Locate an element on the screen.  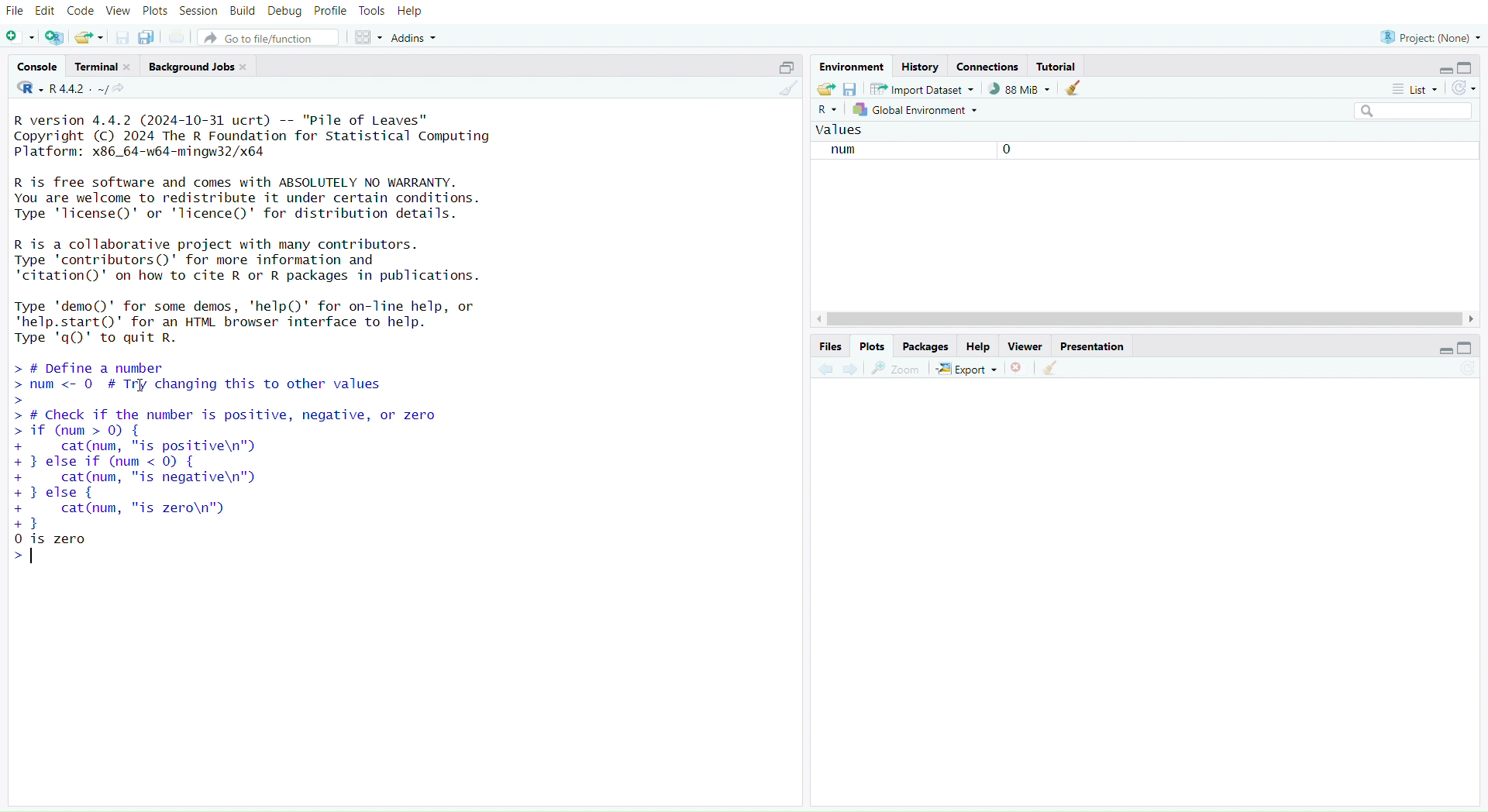
clear console is located at coordinates (787, 91).